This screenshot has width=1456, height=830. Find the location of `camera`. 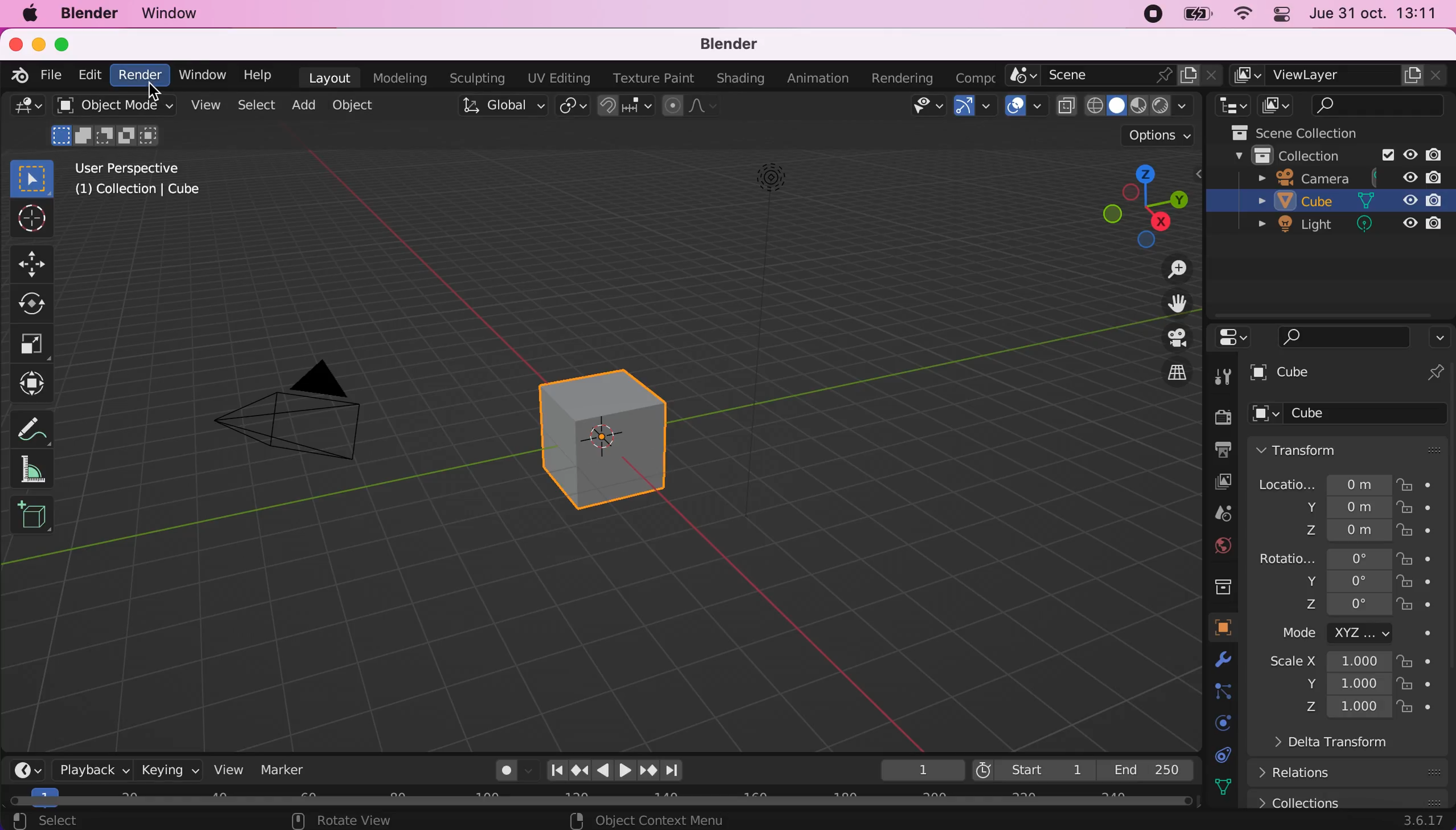

camera is located at coordinates (1349, 177).